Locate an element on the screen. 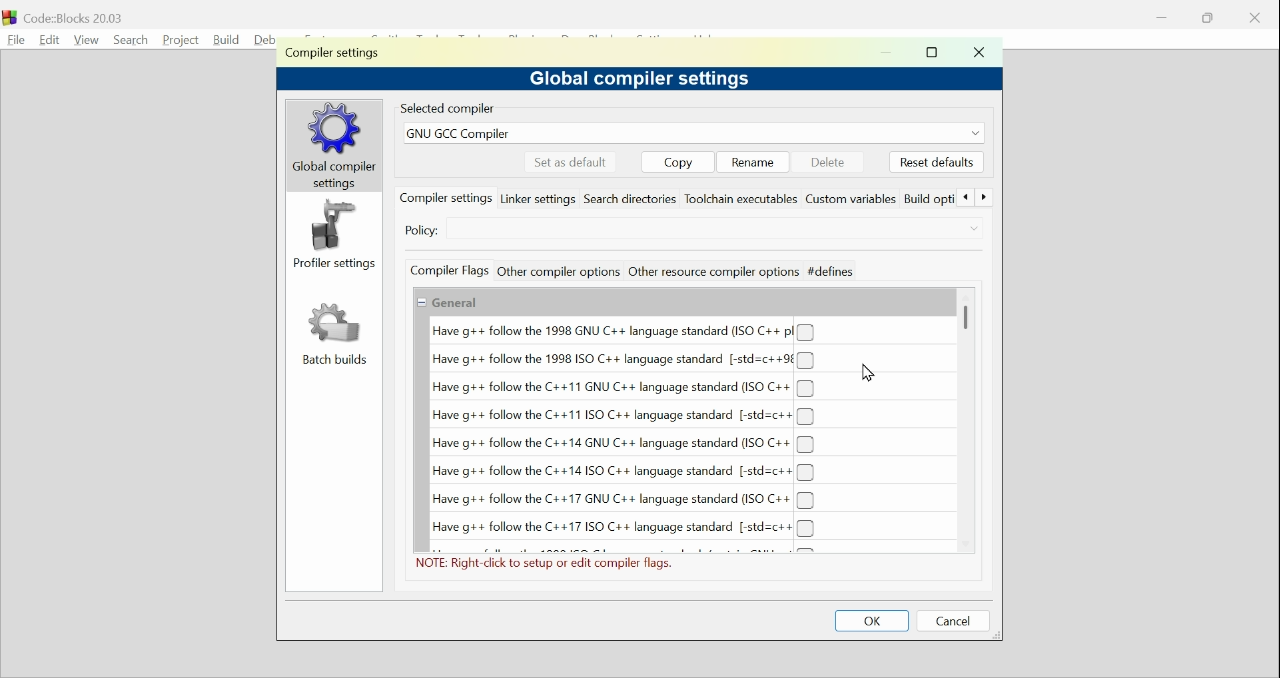 The image size is (1280, 678). GNUGCC compiler is located at coordinates (692, 133).